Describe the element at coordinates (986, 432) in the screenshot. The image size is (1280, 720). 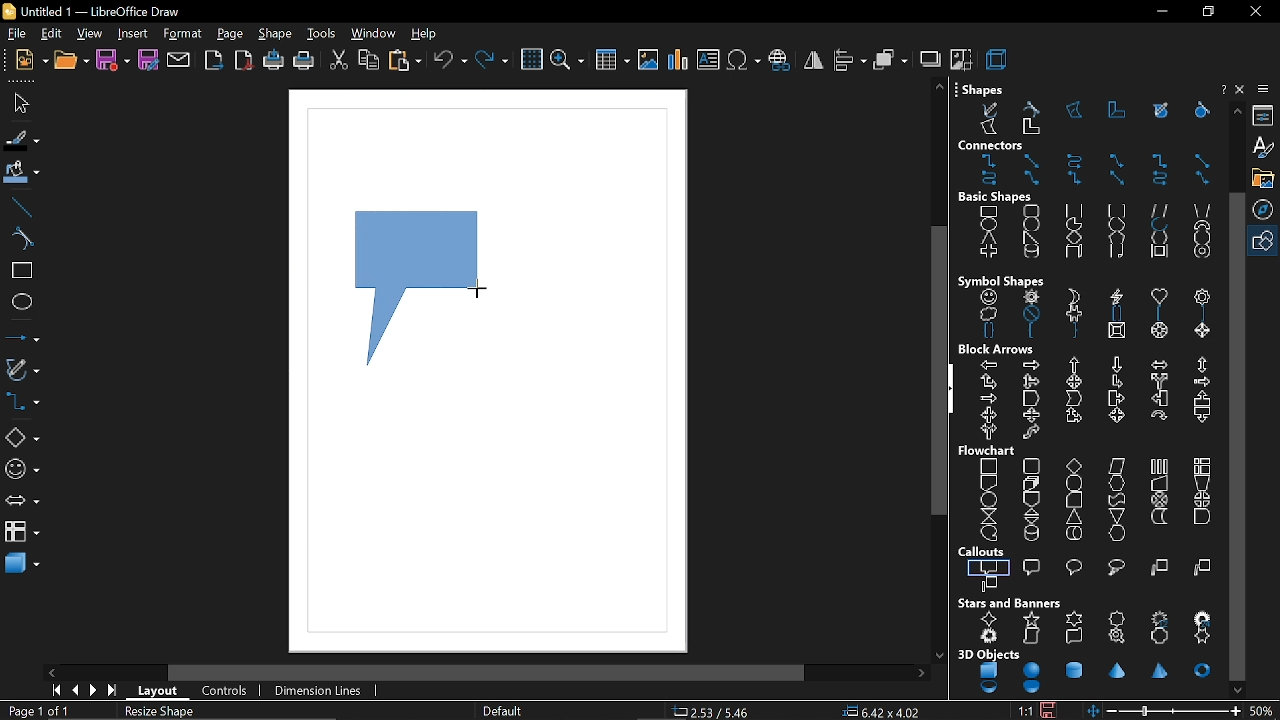
I see `right or left arrow` at that location.